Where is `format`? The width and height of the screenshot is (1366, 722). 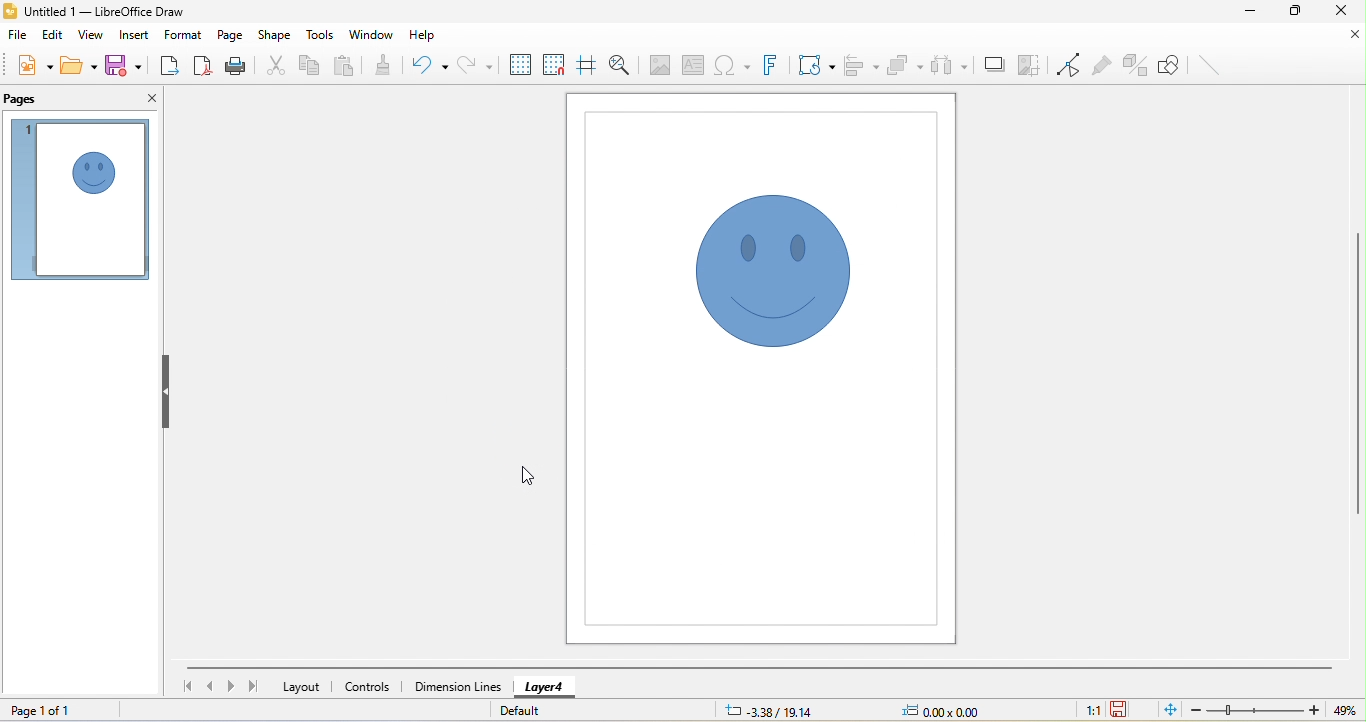 format is located at coordinates (184, 35).